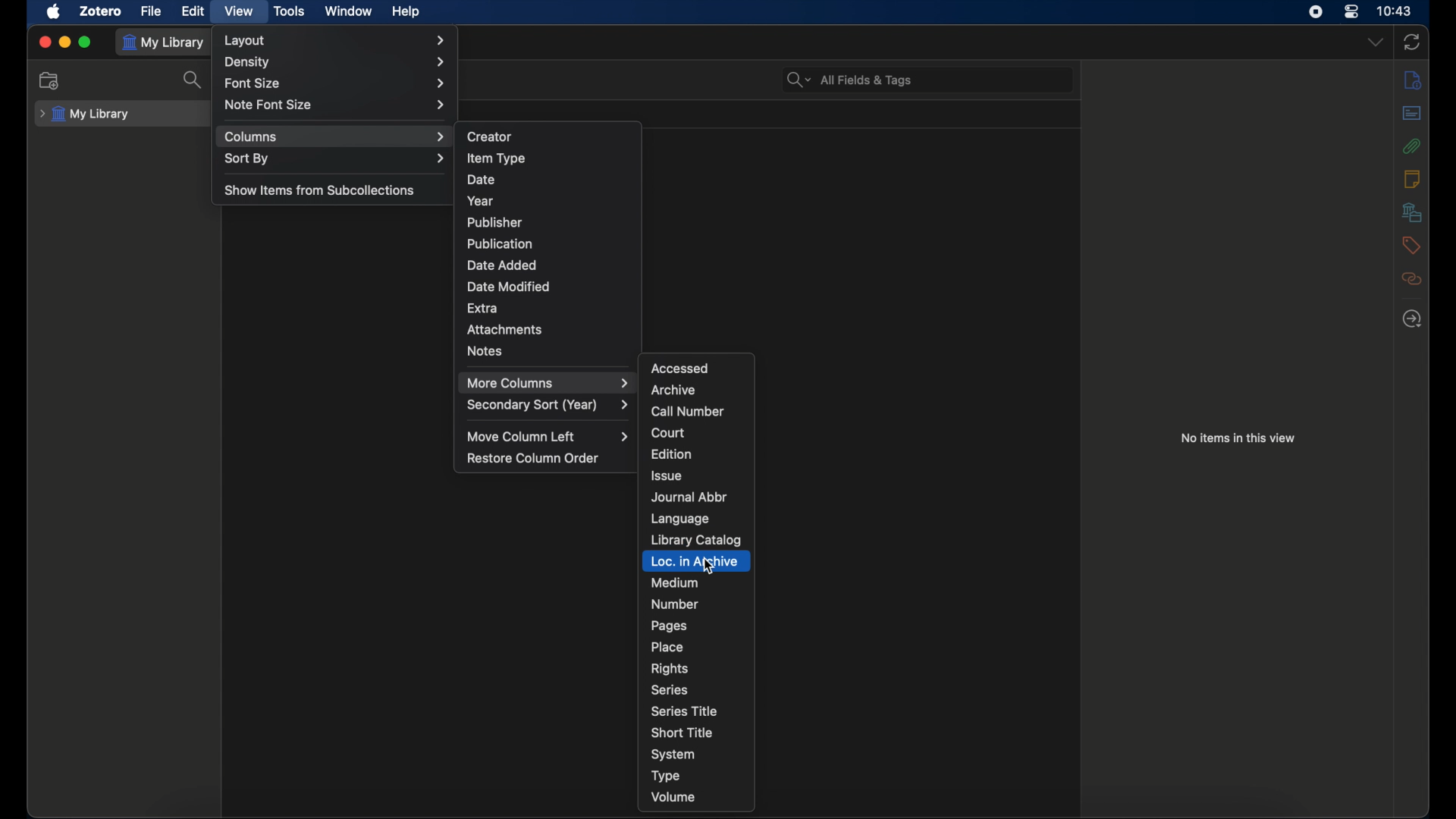  I want to click on locate, so click(1412, 319).